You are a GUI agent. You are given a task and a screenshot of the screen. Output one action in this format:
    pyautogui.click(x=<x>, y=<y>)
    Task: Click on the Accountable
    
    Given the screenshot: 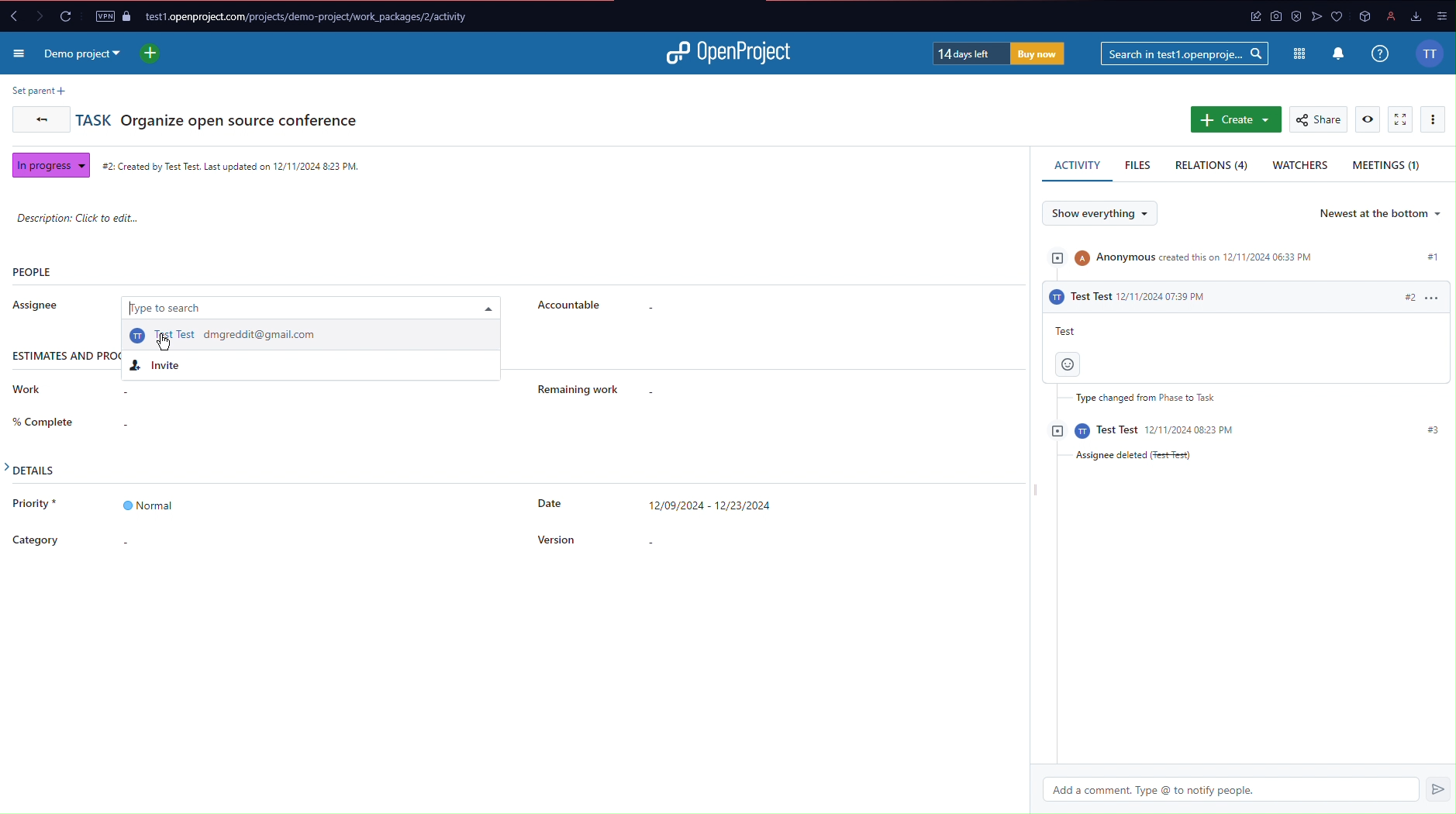 What is the action you would take?
    pyautogui.click(x=573, y=305)
    